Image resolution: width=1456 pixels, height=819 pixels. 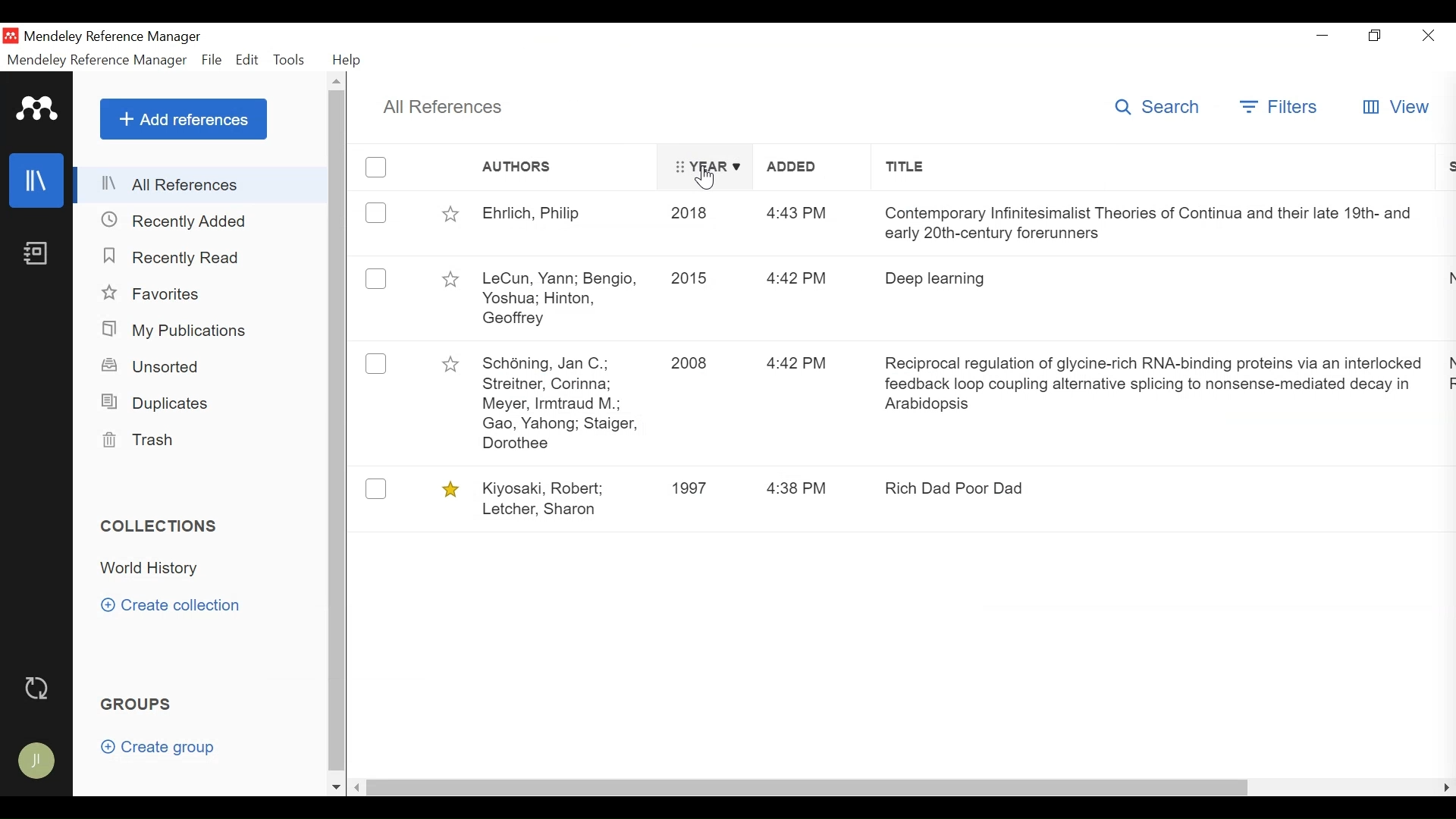 I want to click on My Publications, so click(x=179, y=330).